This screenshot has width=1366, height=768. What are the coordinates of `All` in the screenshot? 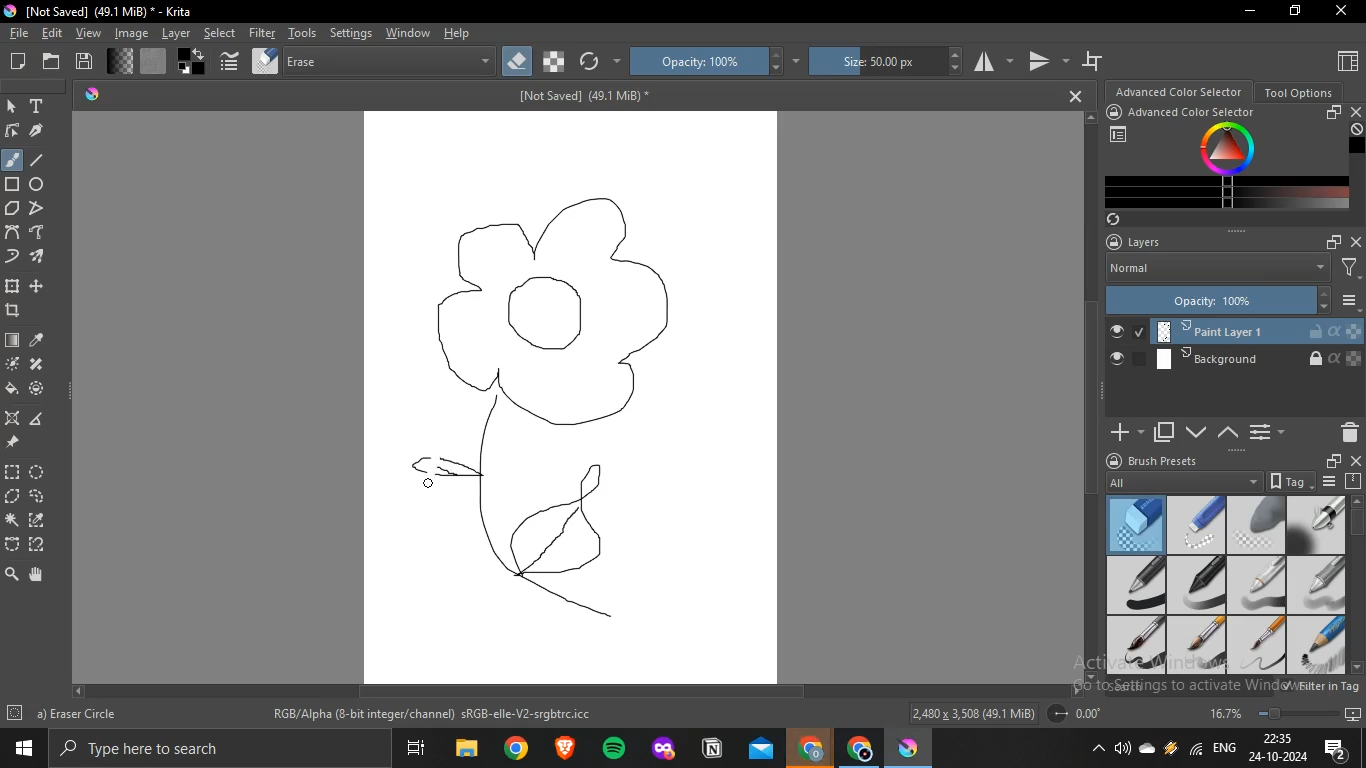 It's located at (1182, 480).